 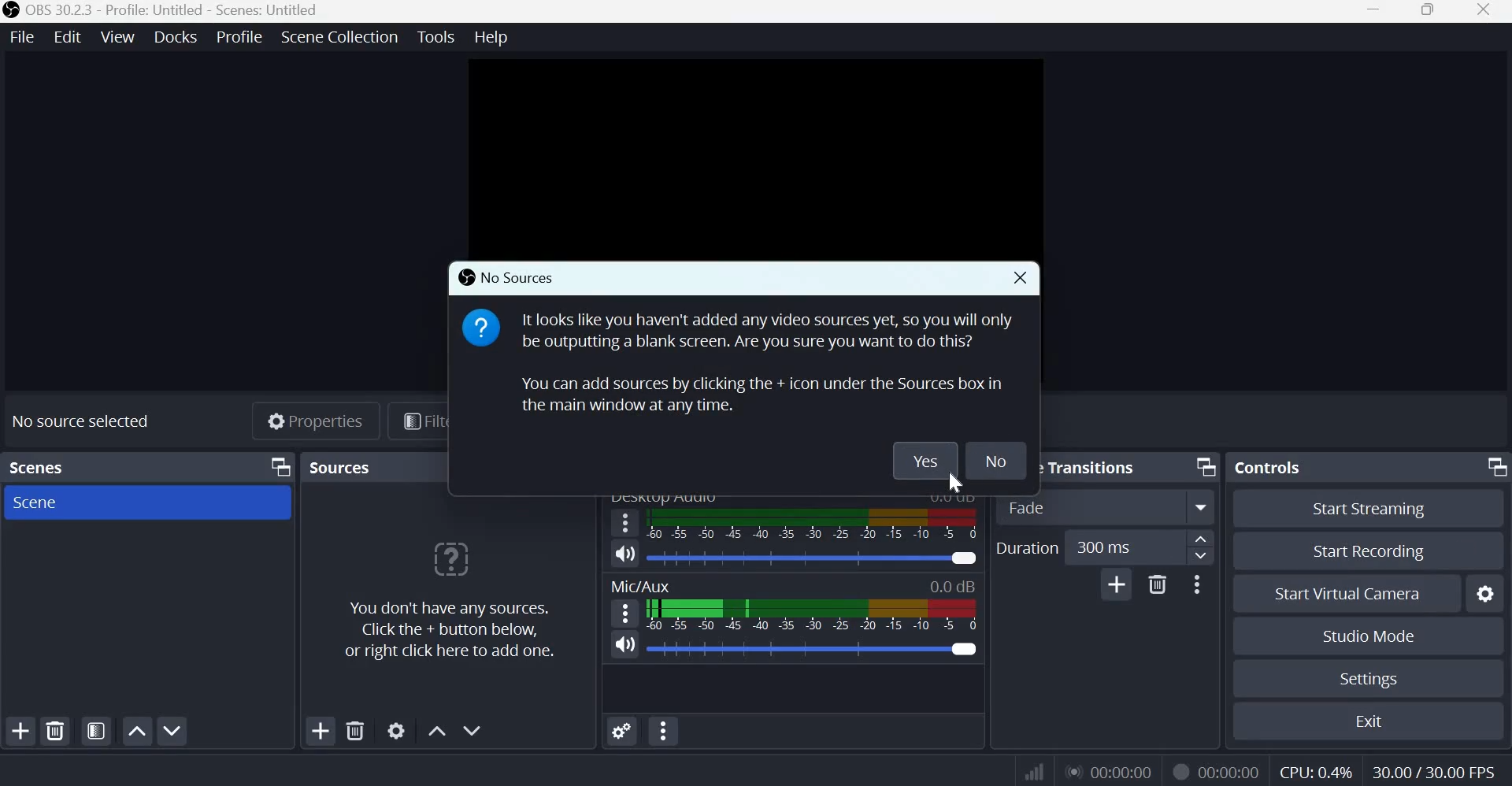 What do you see at coordinates (1028, 547) in the screenshot?
I see `Duration` at bounding box center [1028, 547].